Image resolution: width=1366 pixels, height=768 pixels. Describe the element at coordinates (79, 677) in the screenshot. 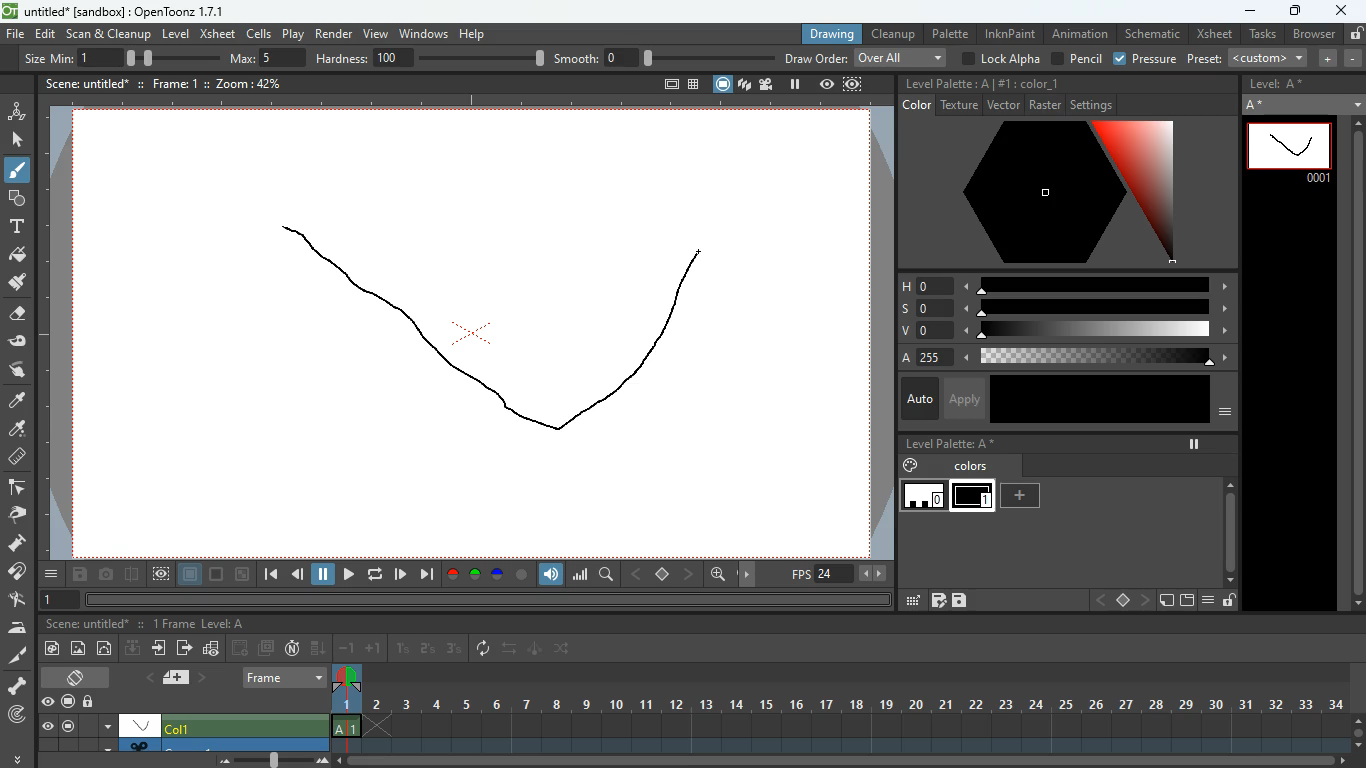

I see `change screen` at that location.